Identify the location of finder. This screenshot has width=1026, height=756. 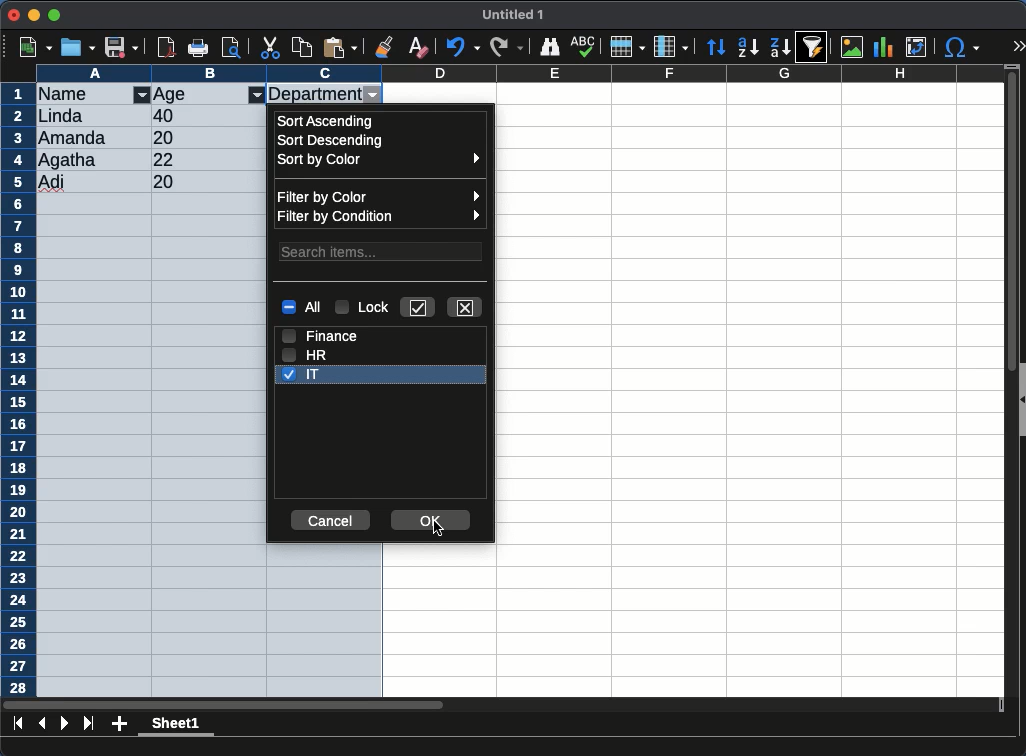
(552, 47).